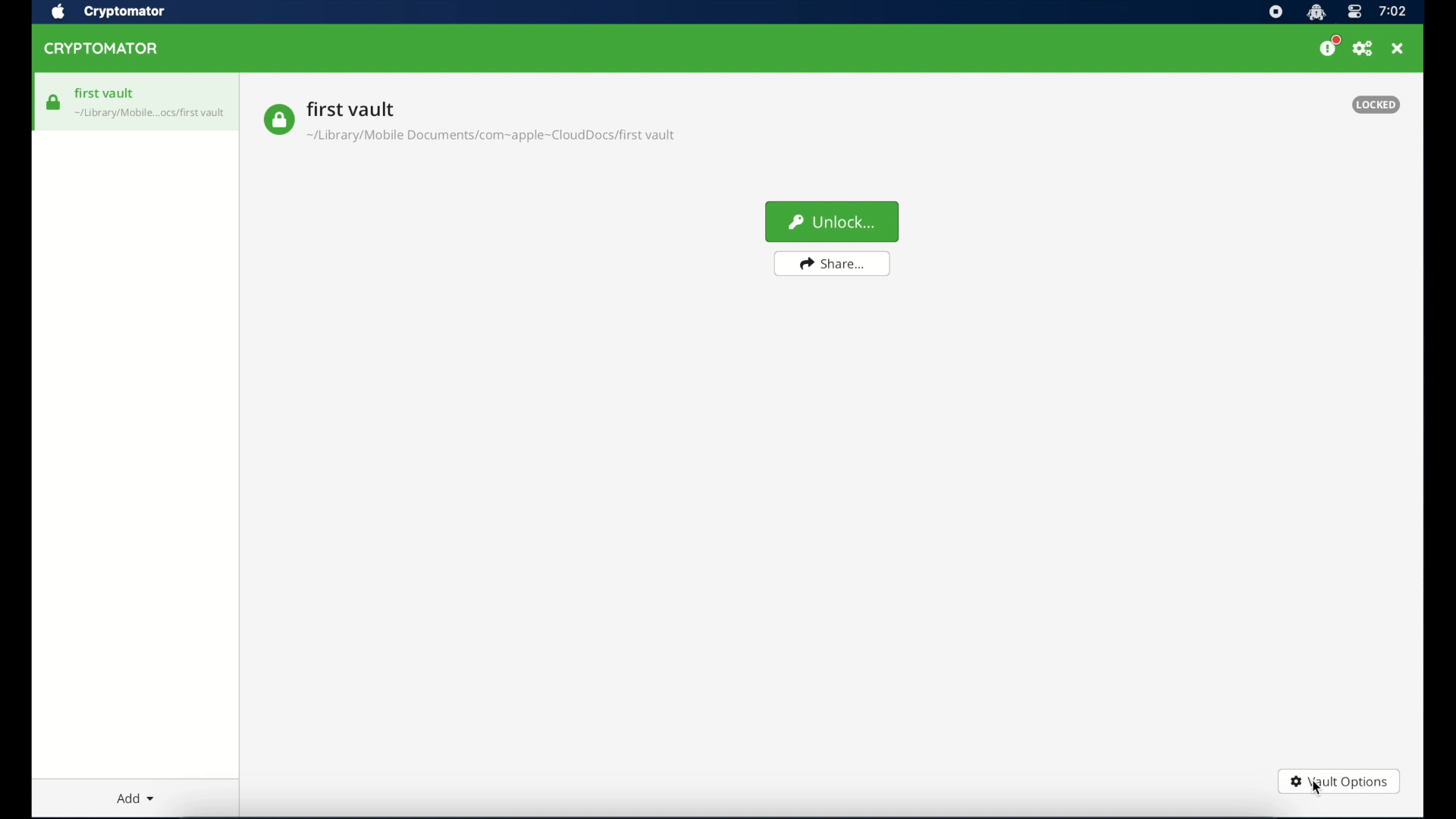 Image resolution: width=1456 pixels, height=819 pixels. What do you see at coordinates (1316, 13) in the screenshot?
I see `cryptomator icon` at bounding box center [1316, 13].